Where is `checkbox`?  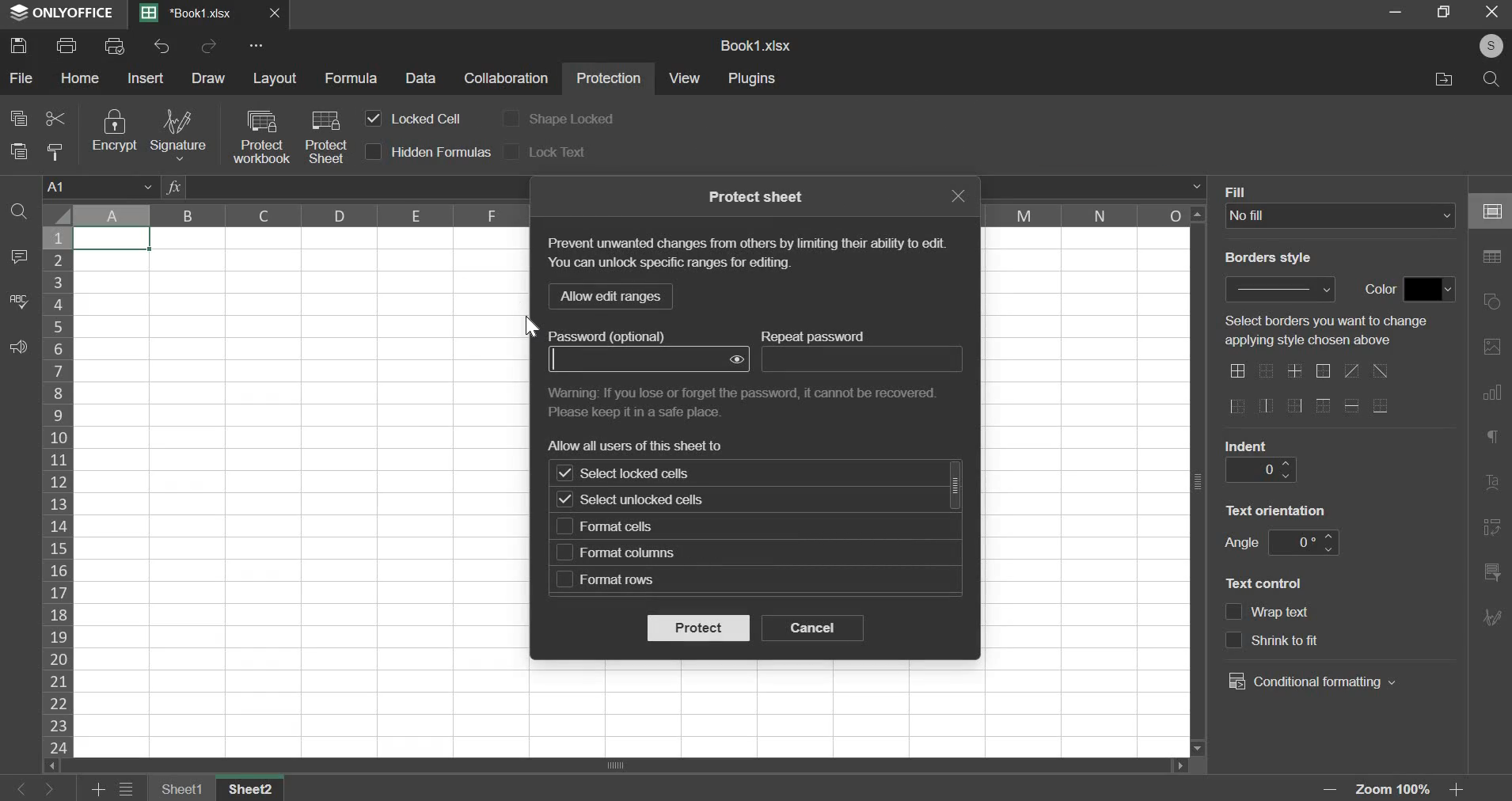 checkbox is located at coordinates (564, 499).